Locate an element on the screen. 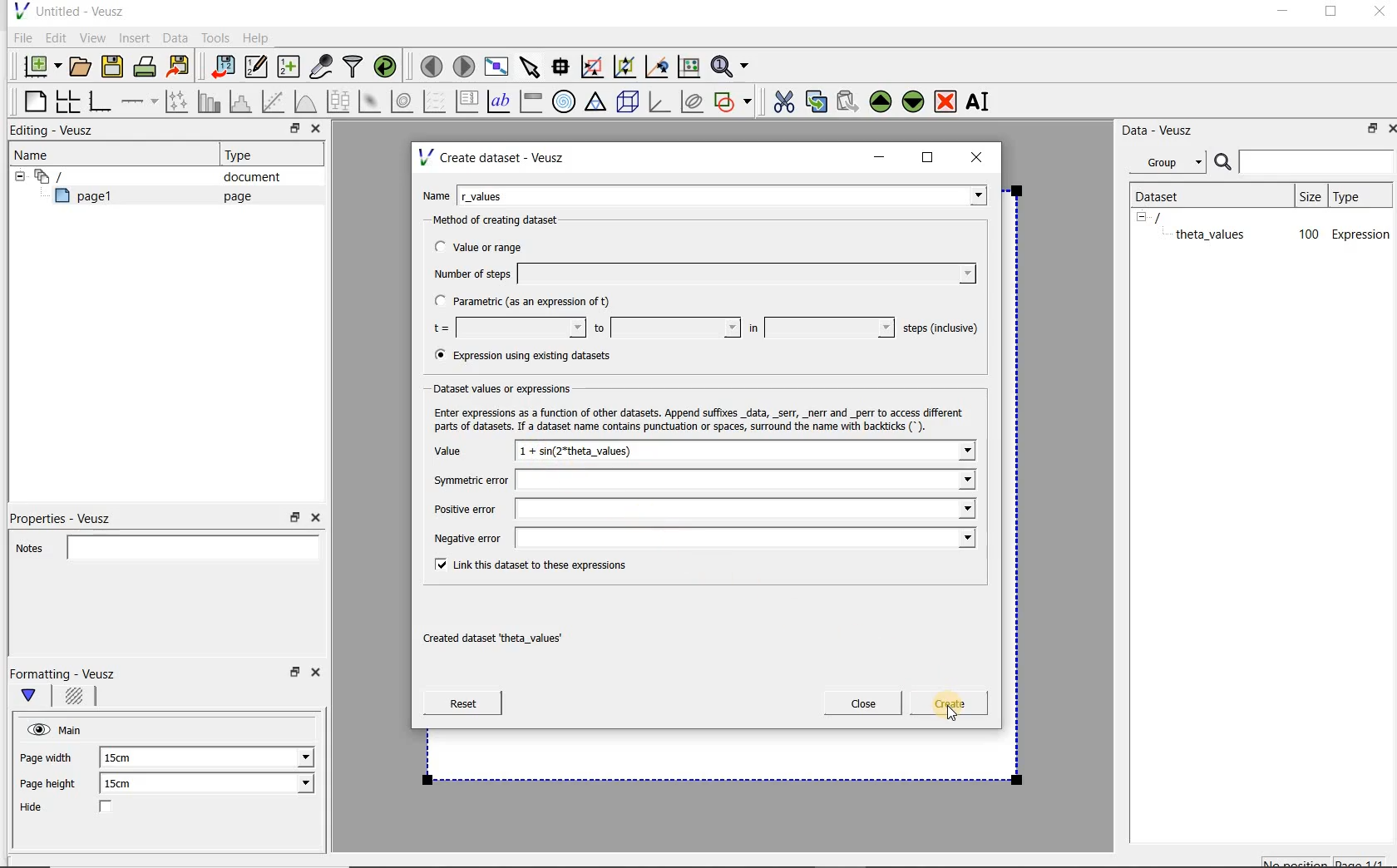  /document name is located at coordinates (1172, 216).